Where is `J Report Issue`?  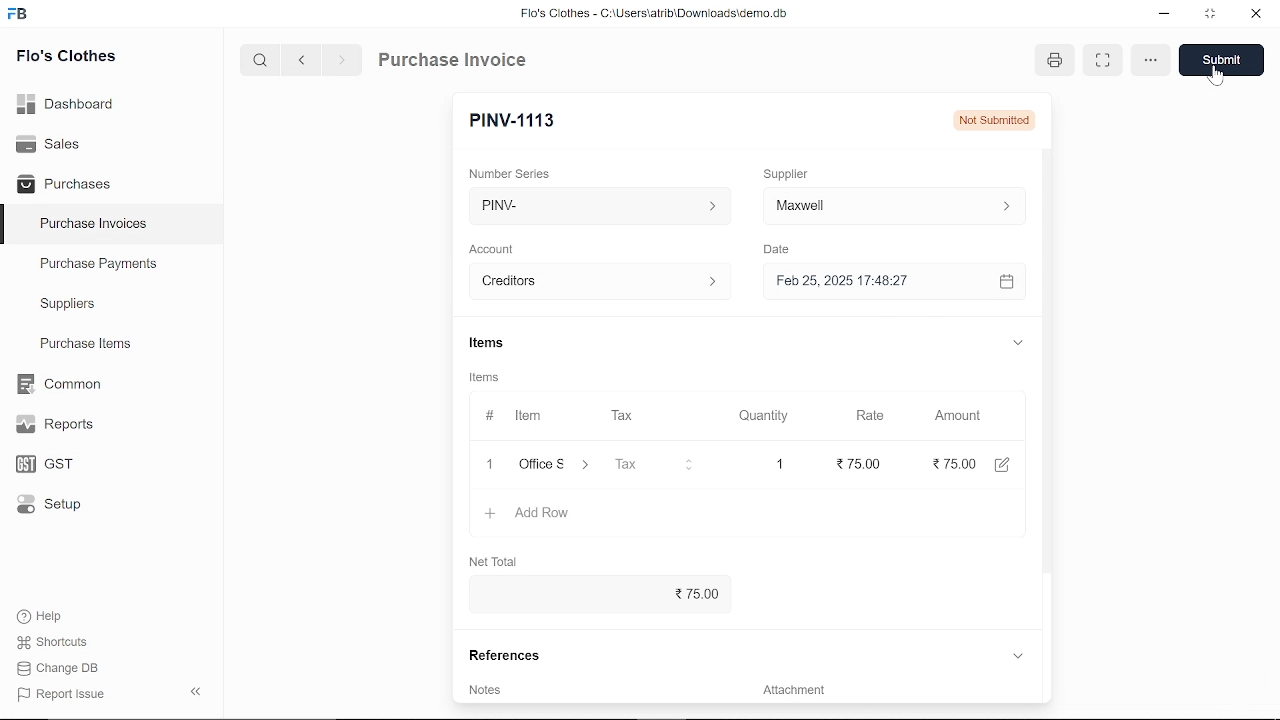 J Report Issue is located at coordinates (58, 694).